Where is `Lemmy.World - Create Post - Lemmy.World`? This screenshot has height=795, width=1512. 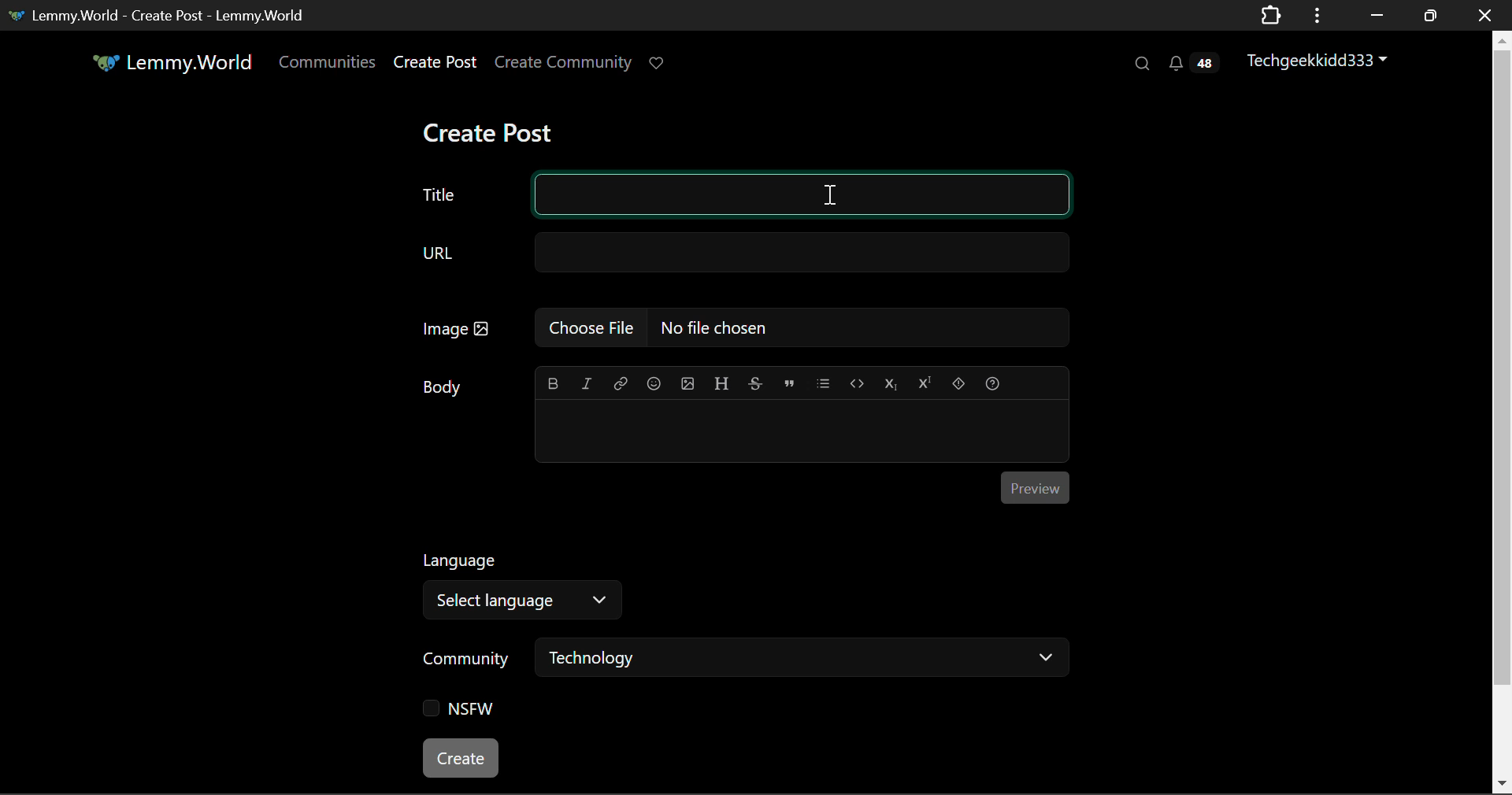
Lemmy.World - Create Post - Lemmy.World is located at coordinates (160, 14).